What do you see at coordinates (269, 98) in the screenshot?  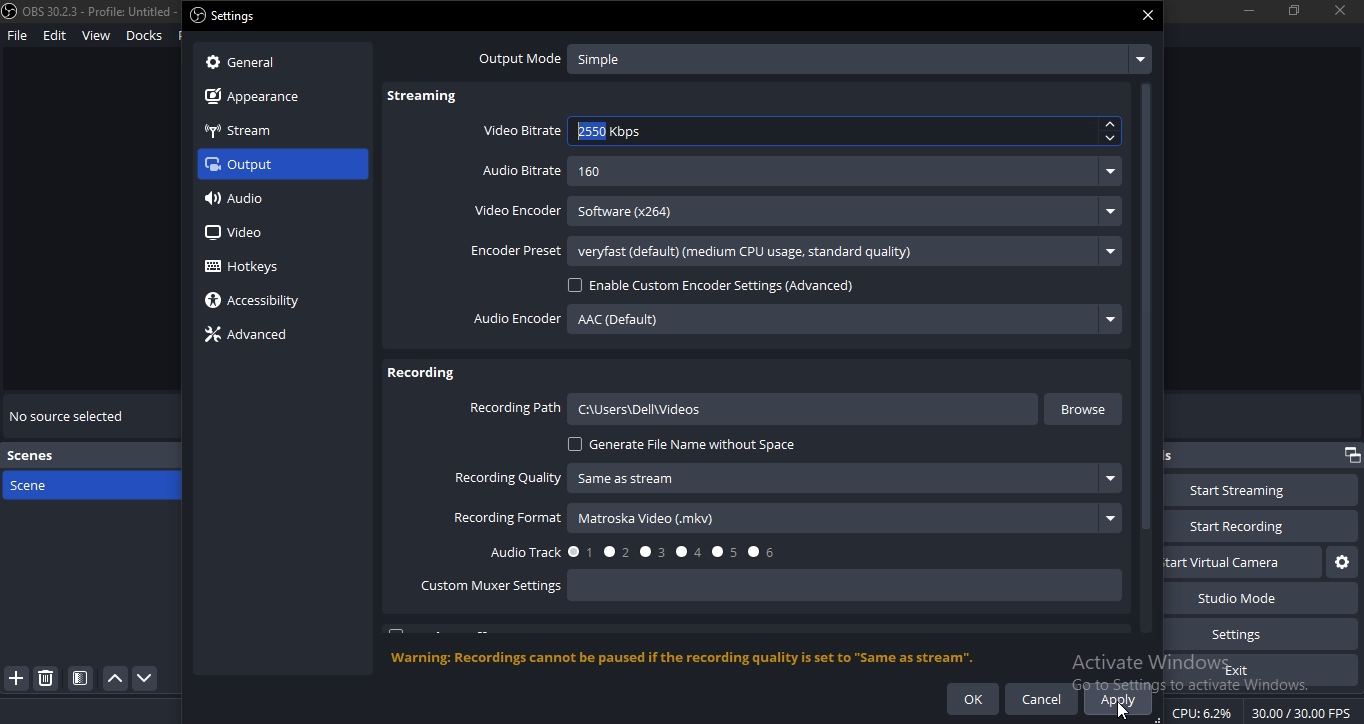 I see `appearance` at bounding box center [269, 98].